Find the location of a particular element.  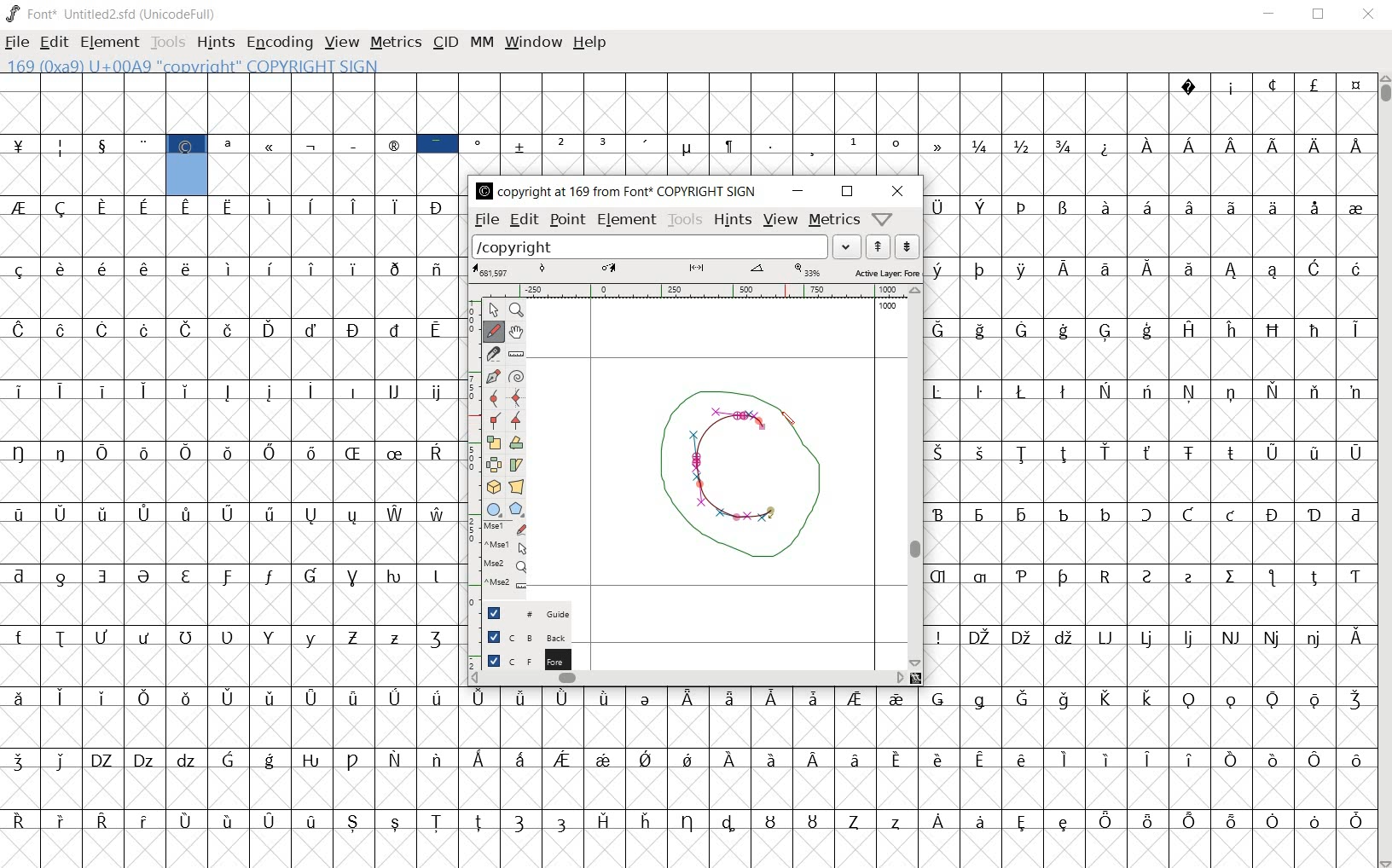

scrollbar is located at coordinates (1383, 472).